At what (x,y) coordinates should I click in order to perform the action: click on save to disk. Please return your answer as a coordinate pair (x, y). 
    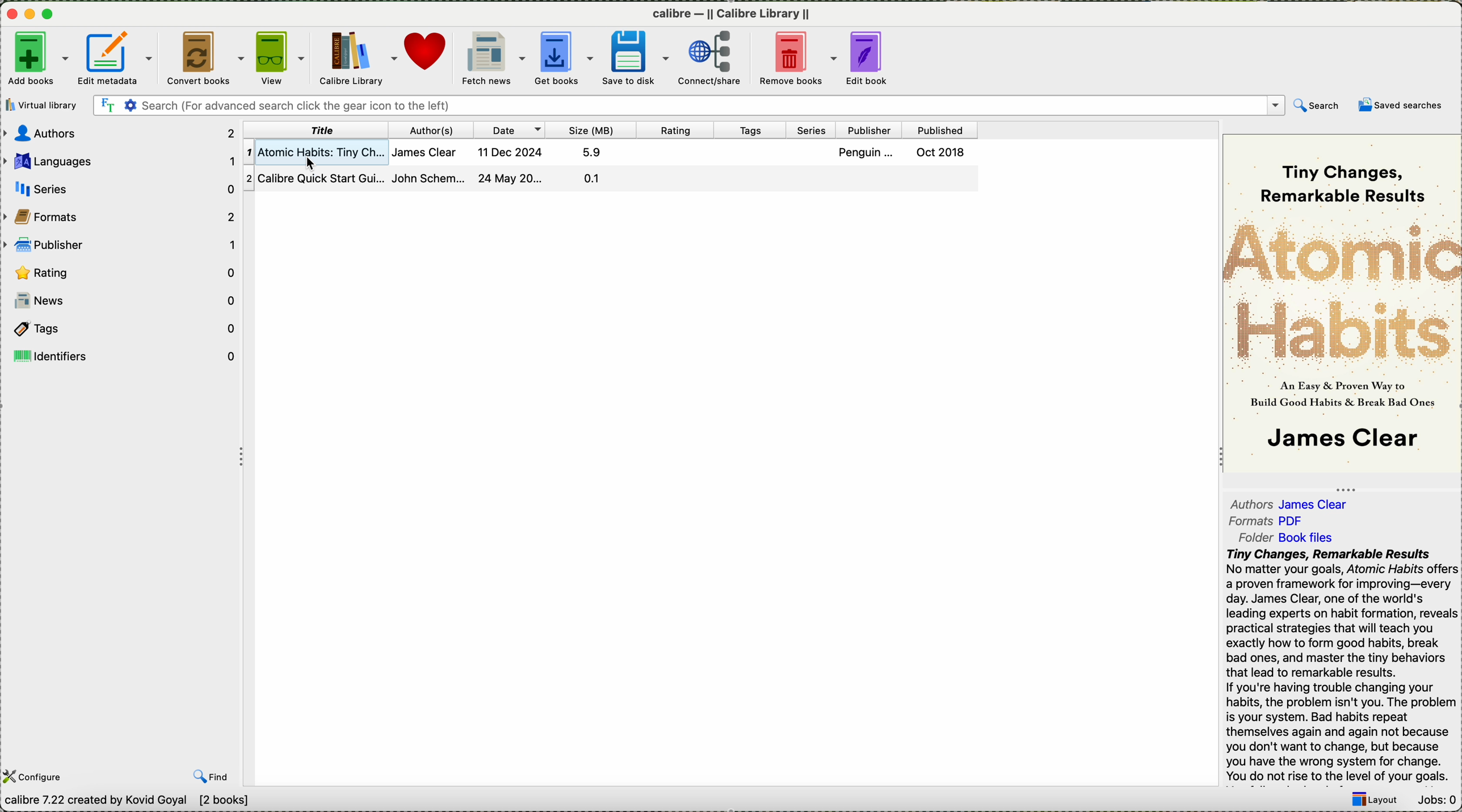
    Looking at the image, I should click on (638, 59).